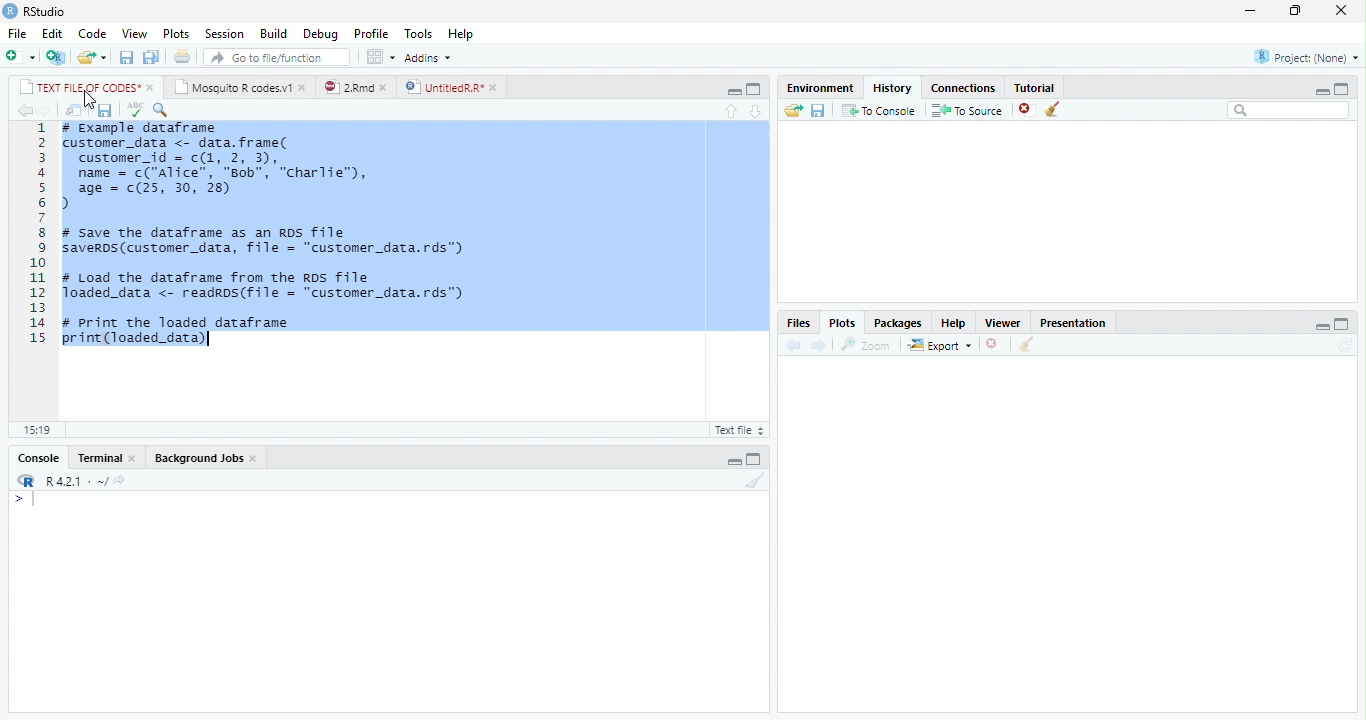  What do you see at coordinates (842, 323) in the screenshot?
I see `Plots` at bounding box center [842, 323].